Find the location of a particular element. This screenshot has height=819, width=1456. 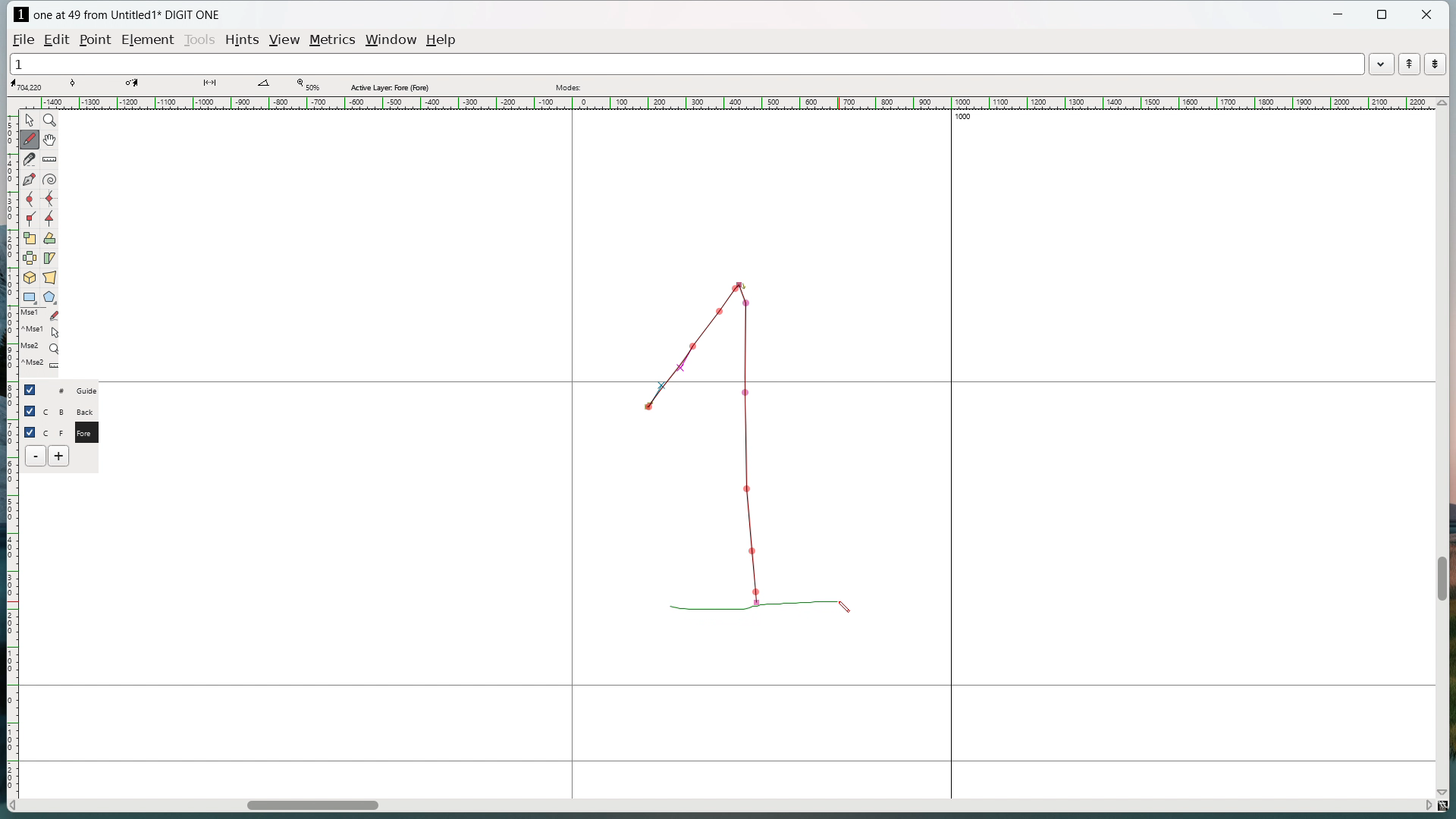

add a curve point always either vertical or horizontal is located at coordinates (49, 199).